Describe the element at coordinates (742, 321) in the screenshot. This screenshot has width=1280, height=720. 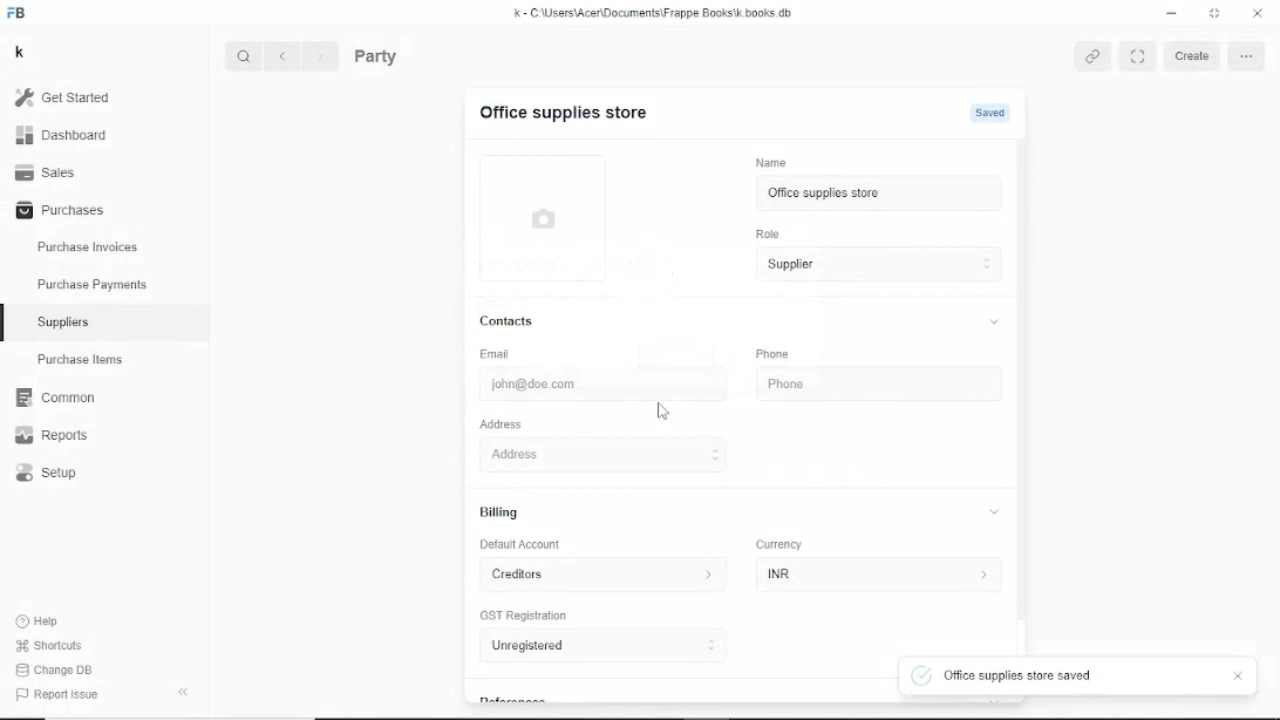
I see `Contacts` at that location.